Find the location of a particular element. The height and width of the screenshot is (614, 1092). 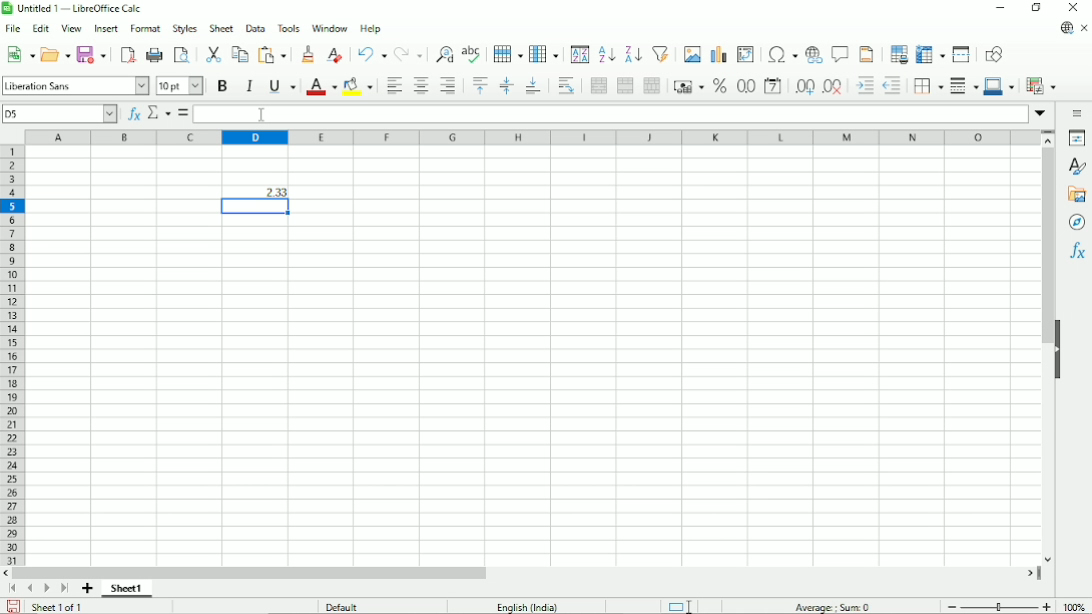

Language is located at coordinates (528, 606).